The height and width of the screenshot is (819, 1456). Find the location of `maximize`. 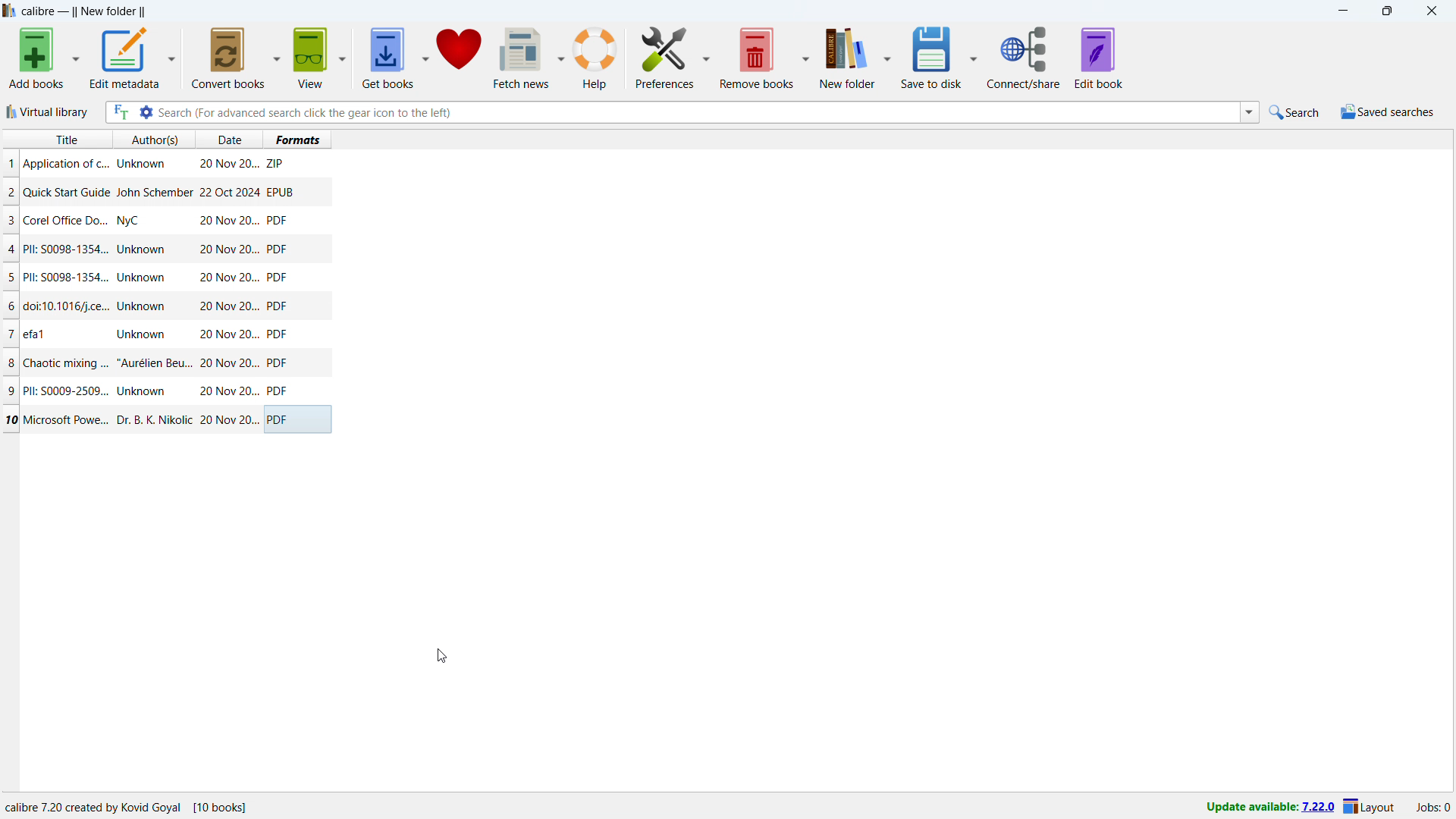

maximize is located at coordinates (1386, 11).